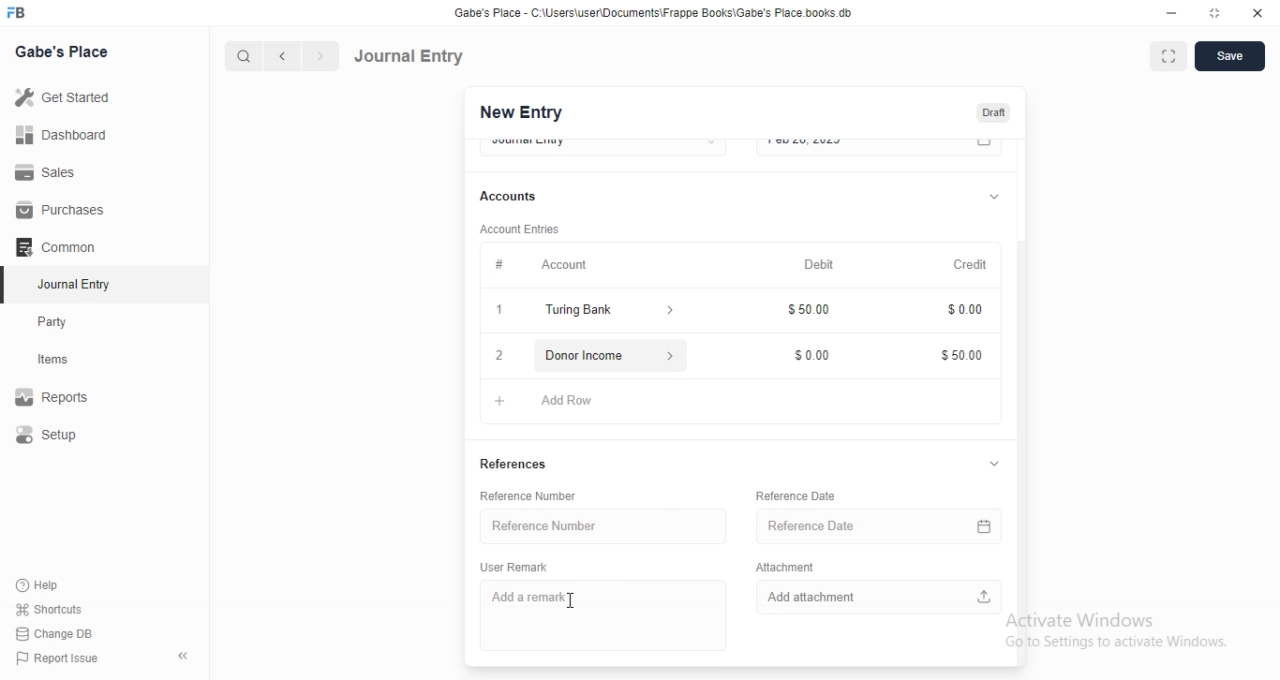  Describe the element at coordinates (519, 113) in the screenshot. I see `New Entry` at that location.